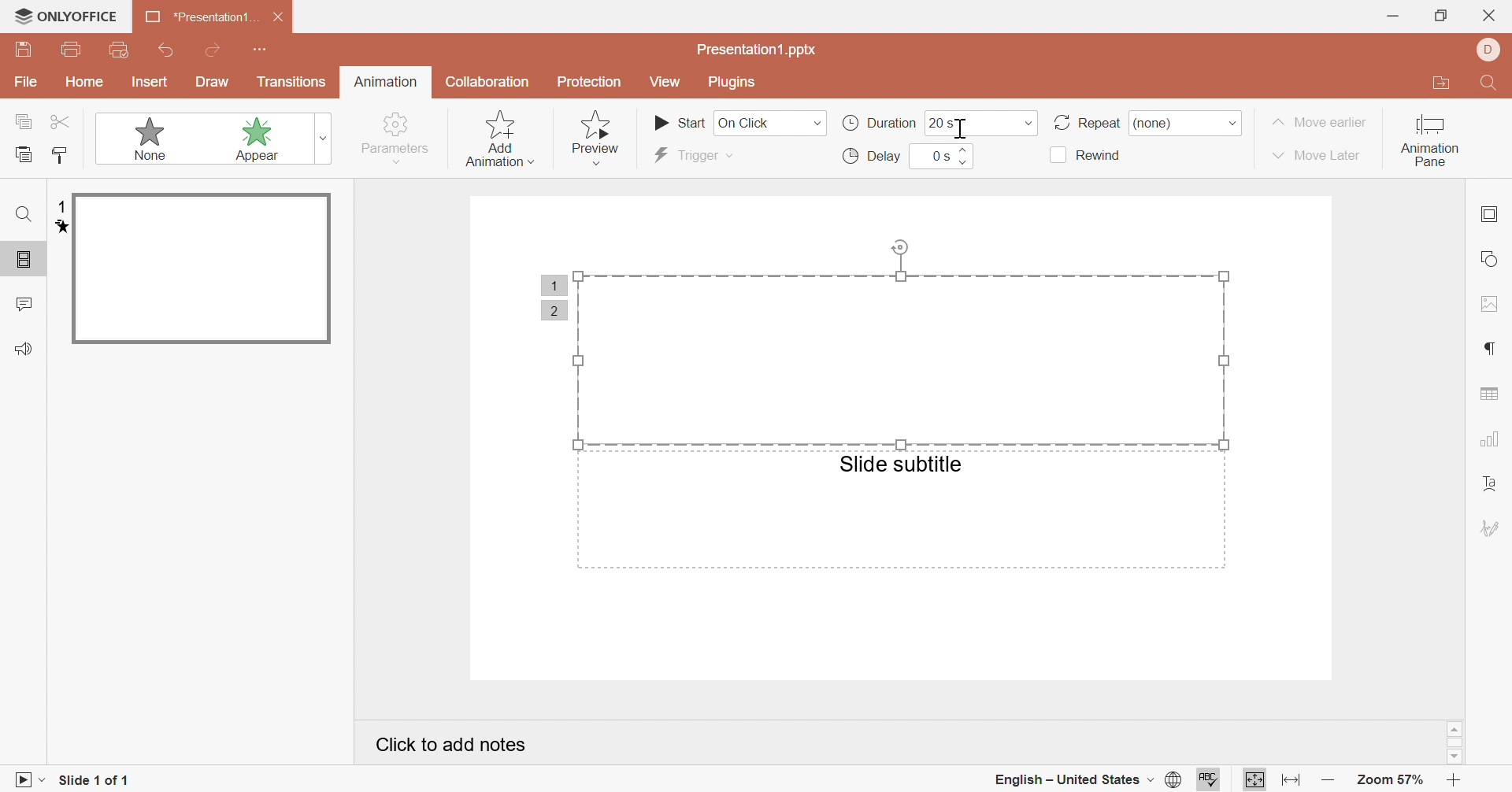 This screenshot has height=792, width=1512. What do you see at coordinates (1317, 155) in the screenshot?
I see `move later` at bounding box center [1317, 155].